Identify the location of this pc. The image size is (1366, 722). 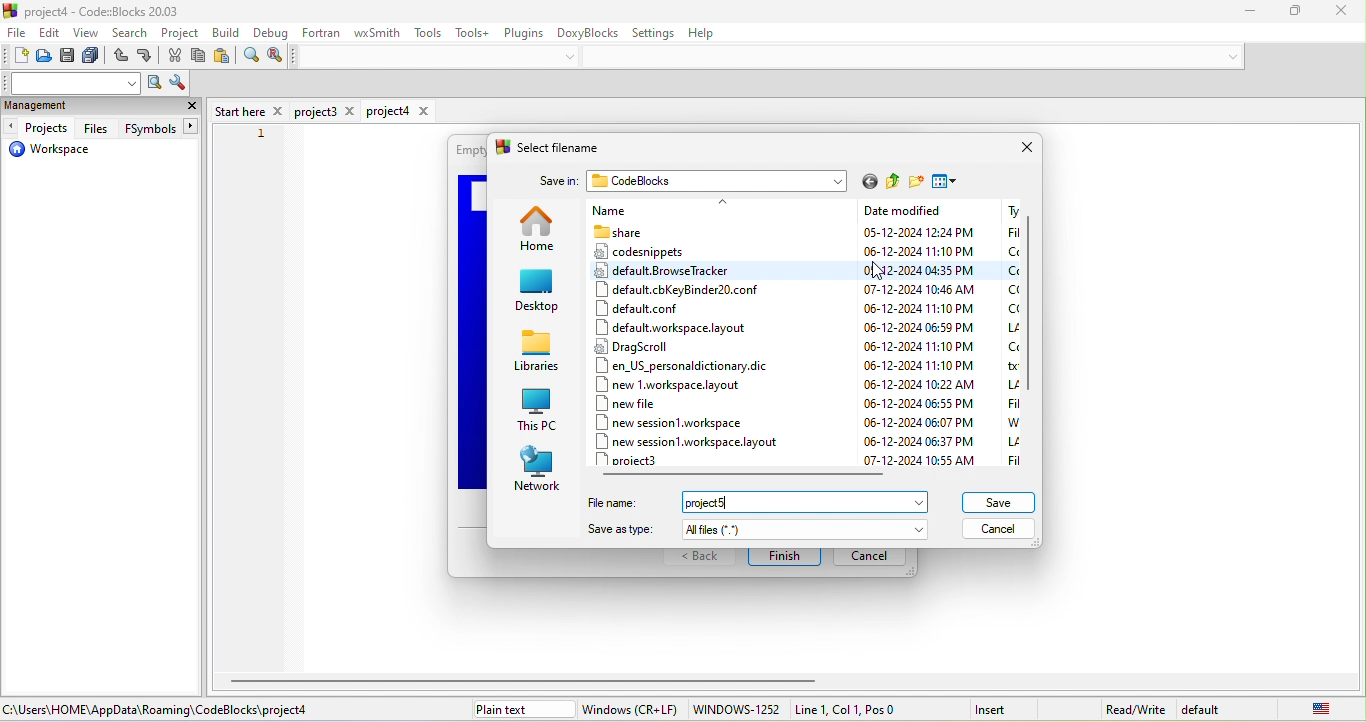
(538, 411).